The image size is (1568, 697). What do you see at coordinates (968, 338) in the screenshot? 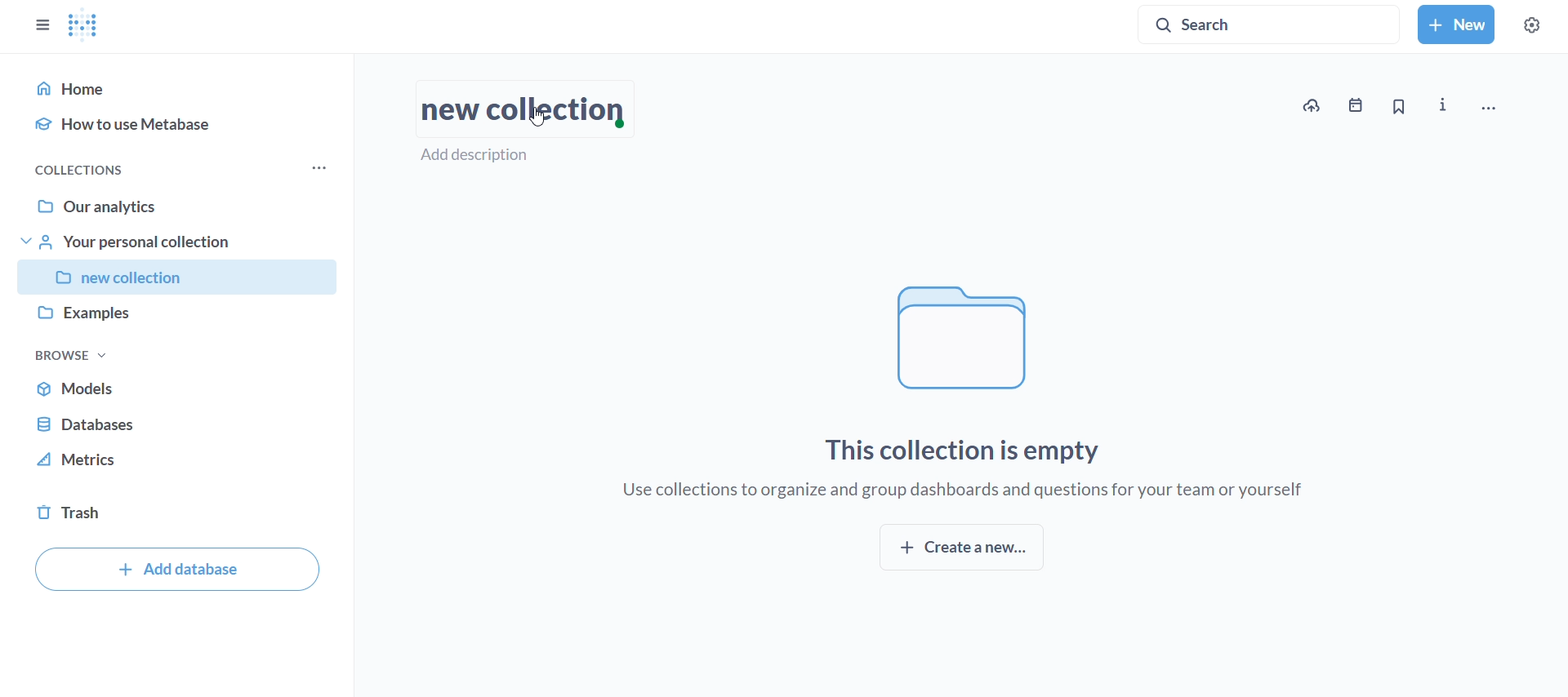
I see `file logo` at bounding box center [968, 338].